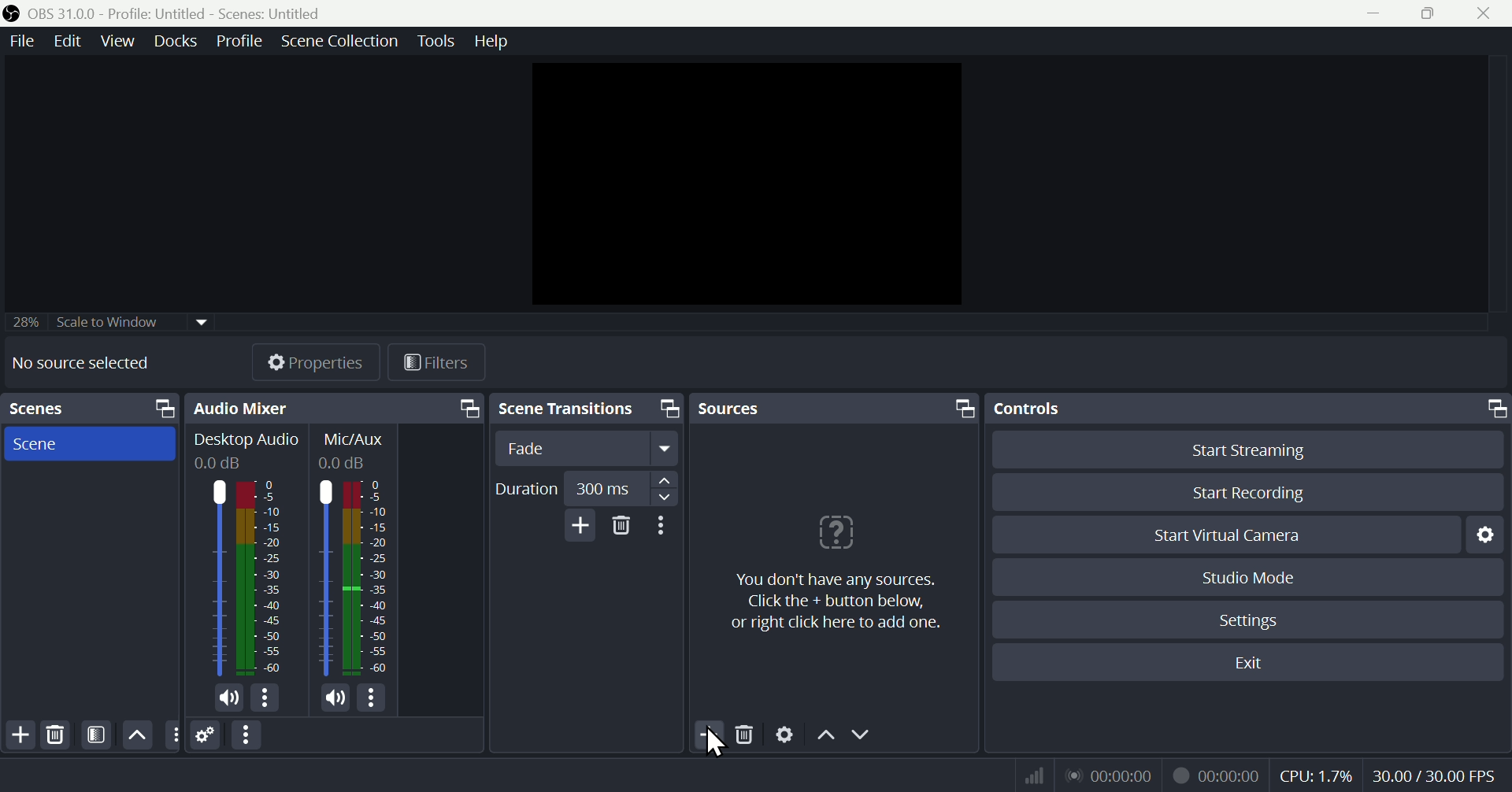 The height and width of the screenshot is (792, 1512). What do you see at coordinates (1434, 777) in the screenshot?
I see `Frame Per Second` at bounding box center [1434, 777].